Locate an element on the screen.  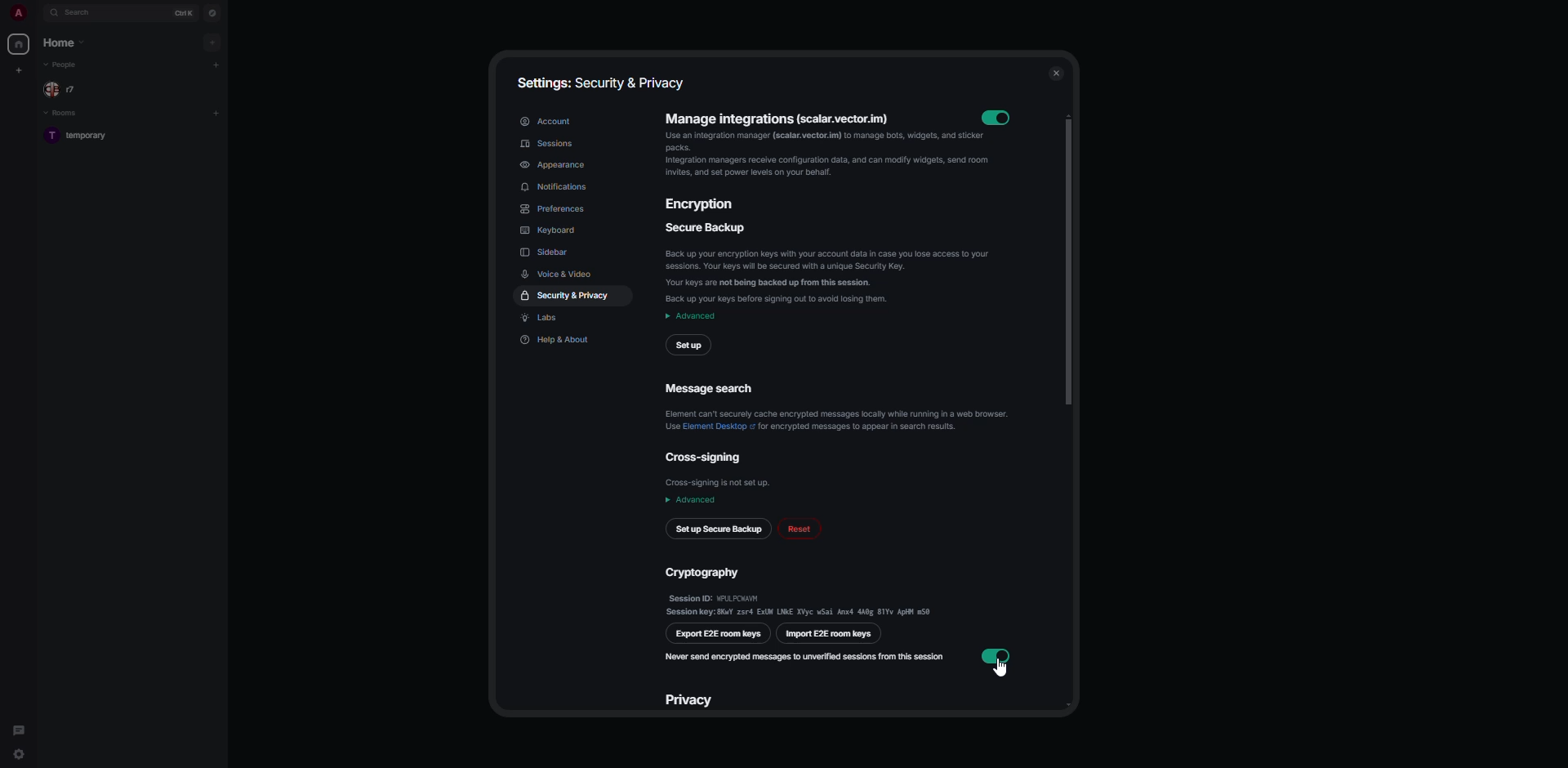
rooms is located at coordinates (64, 113).